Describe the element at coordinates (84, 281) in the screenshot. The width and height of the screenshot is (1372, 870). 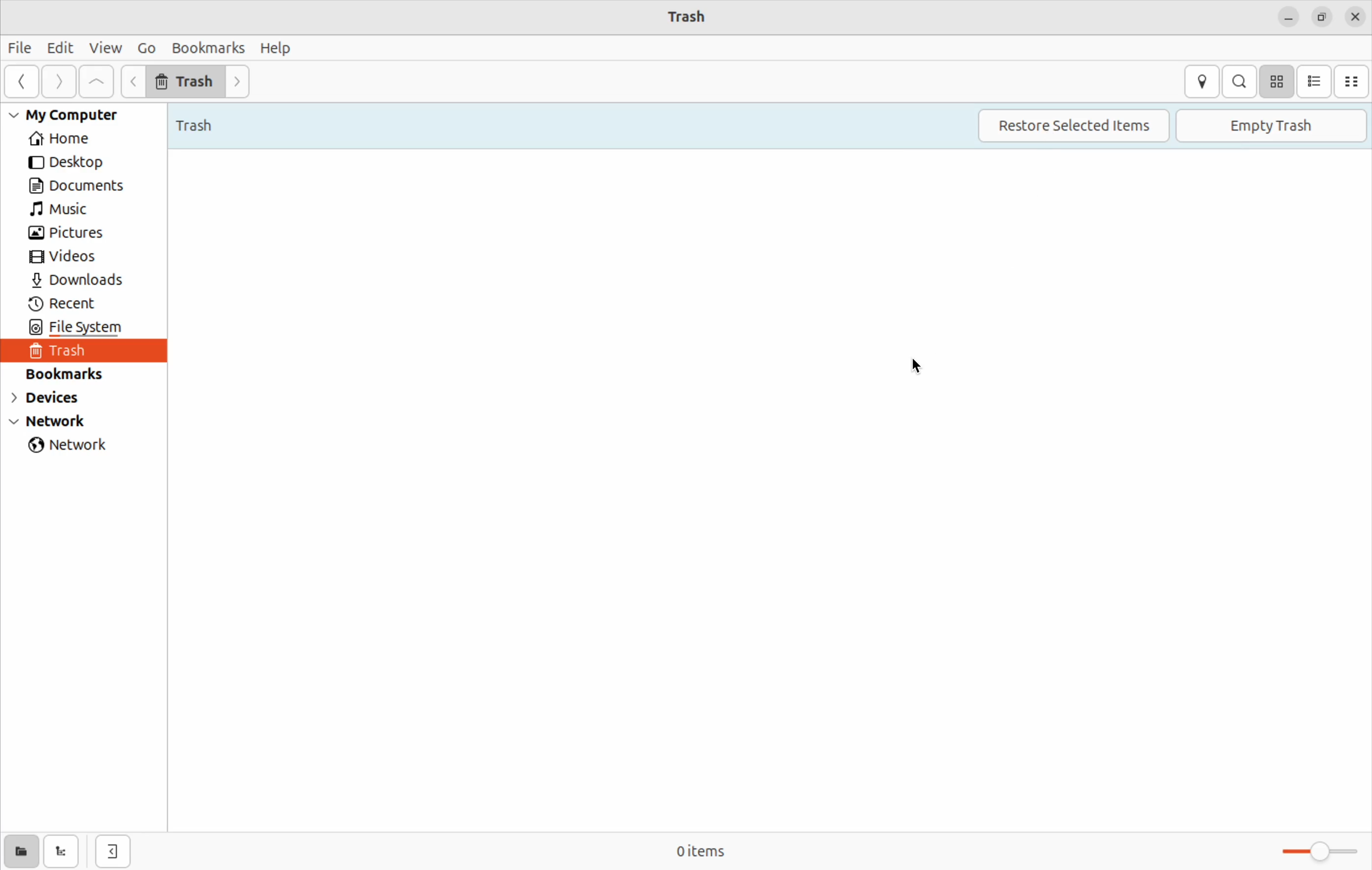
I see `downlaods` at that location.